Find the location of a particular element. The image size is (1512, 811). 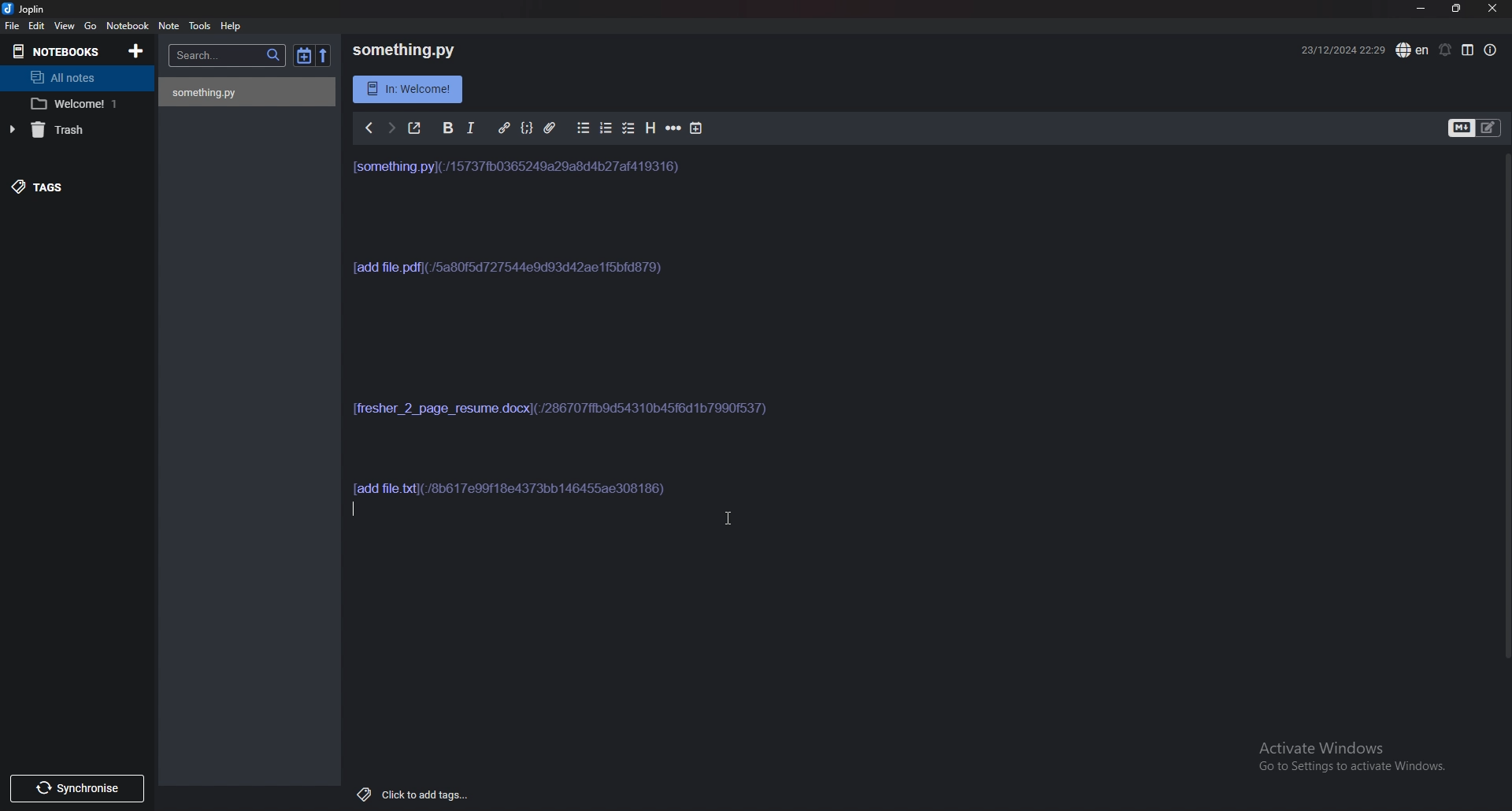

Tags is located at coordinates (63, 188).